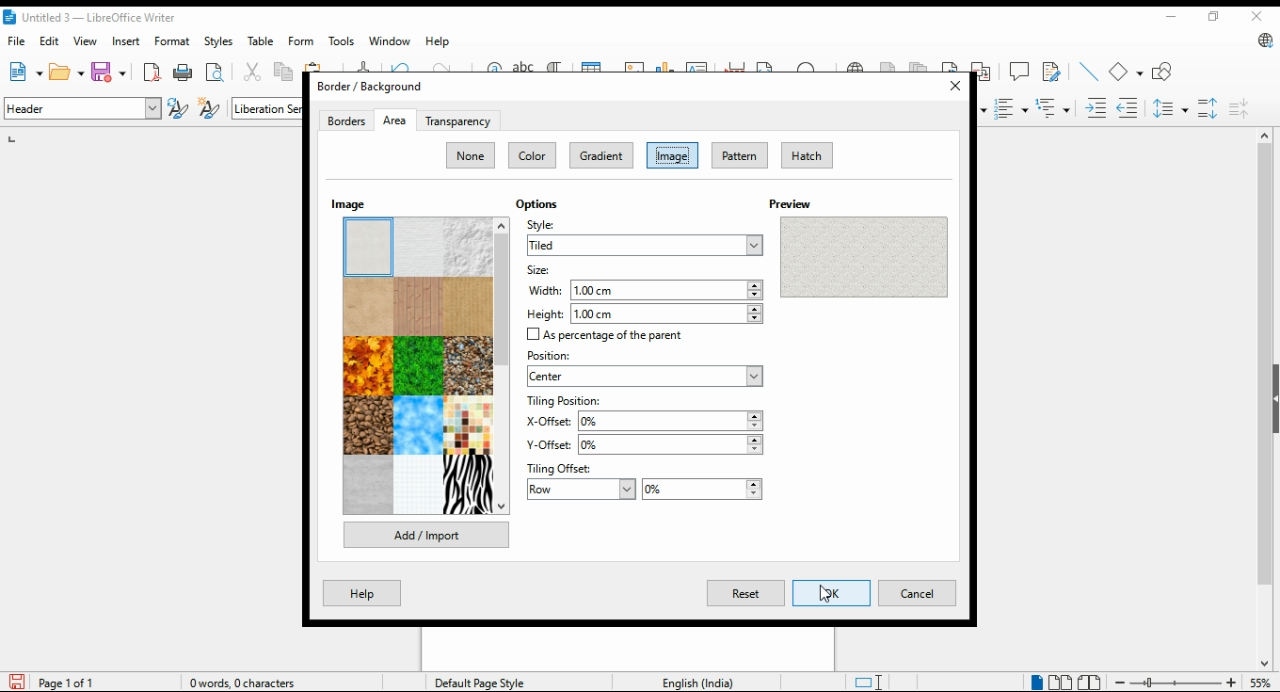 This screenshot has height=692, width=1280. I want to click on insert hyperlink, so click(856, 65).